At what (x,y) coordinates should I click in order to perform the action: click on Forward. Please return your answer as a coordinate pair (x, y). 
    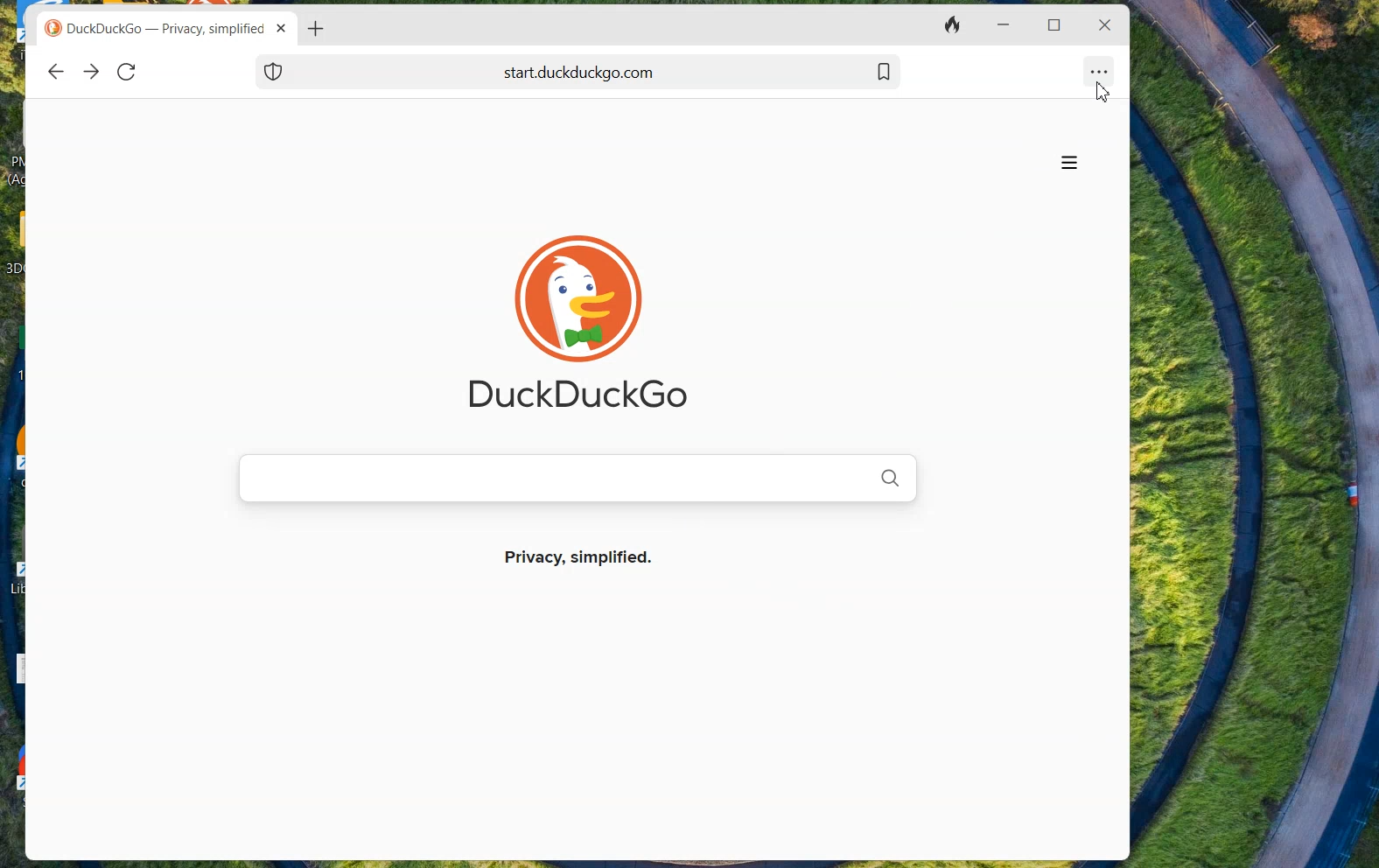
    Looking at the image, I should click on (91, 73).